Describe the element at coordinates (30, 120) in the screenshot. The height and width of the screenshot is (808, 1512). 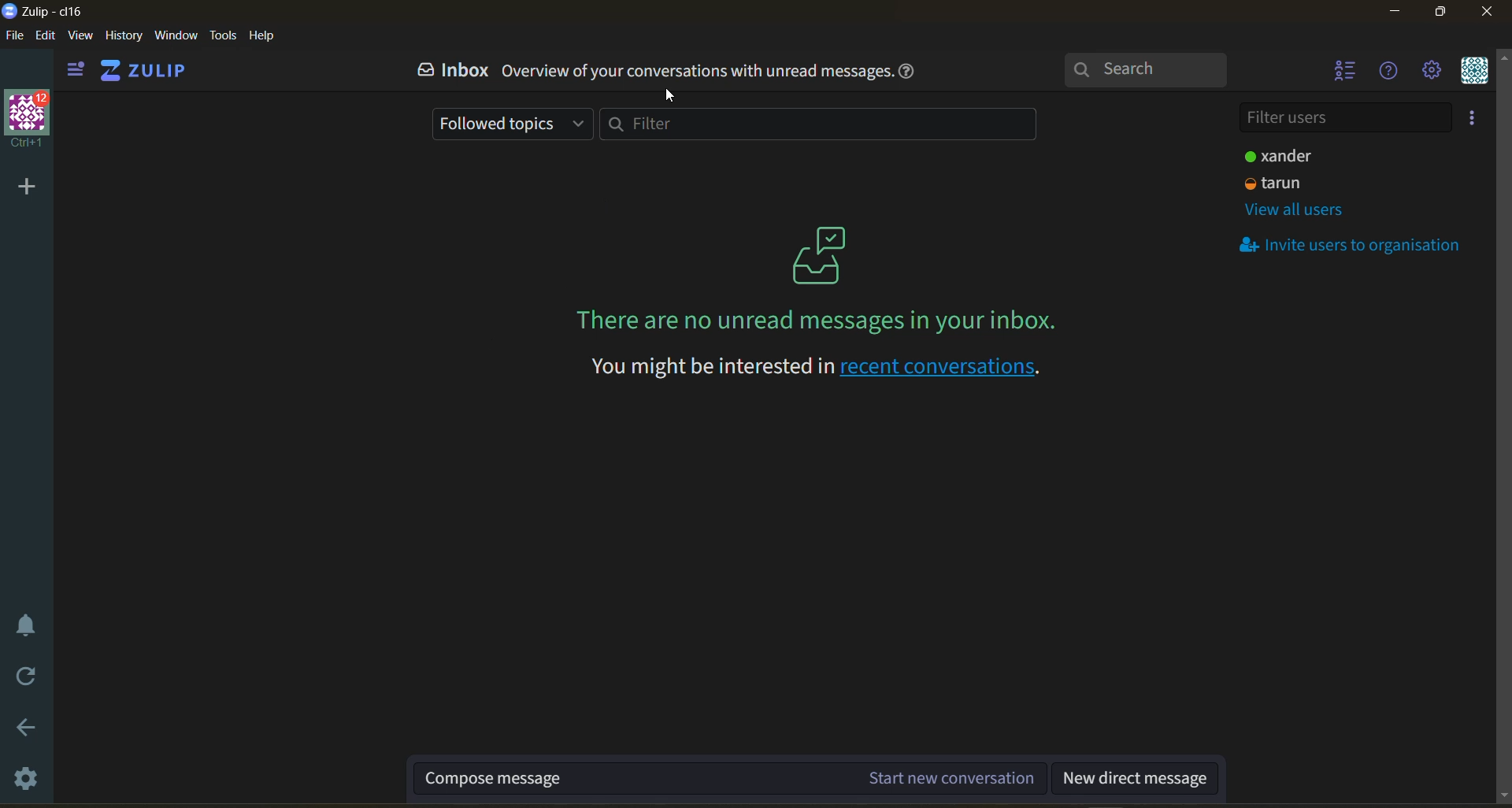
I see `organisation profile and name` at that location.